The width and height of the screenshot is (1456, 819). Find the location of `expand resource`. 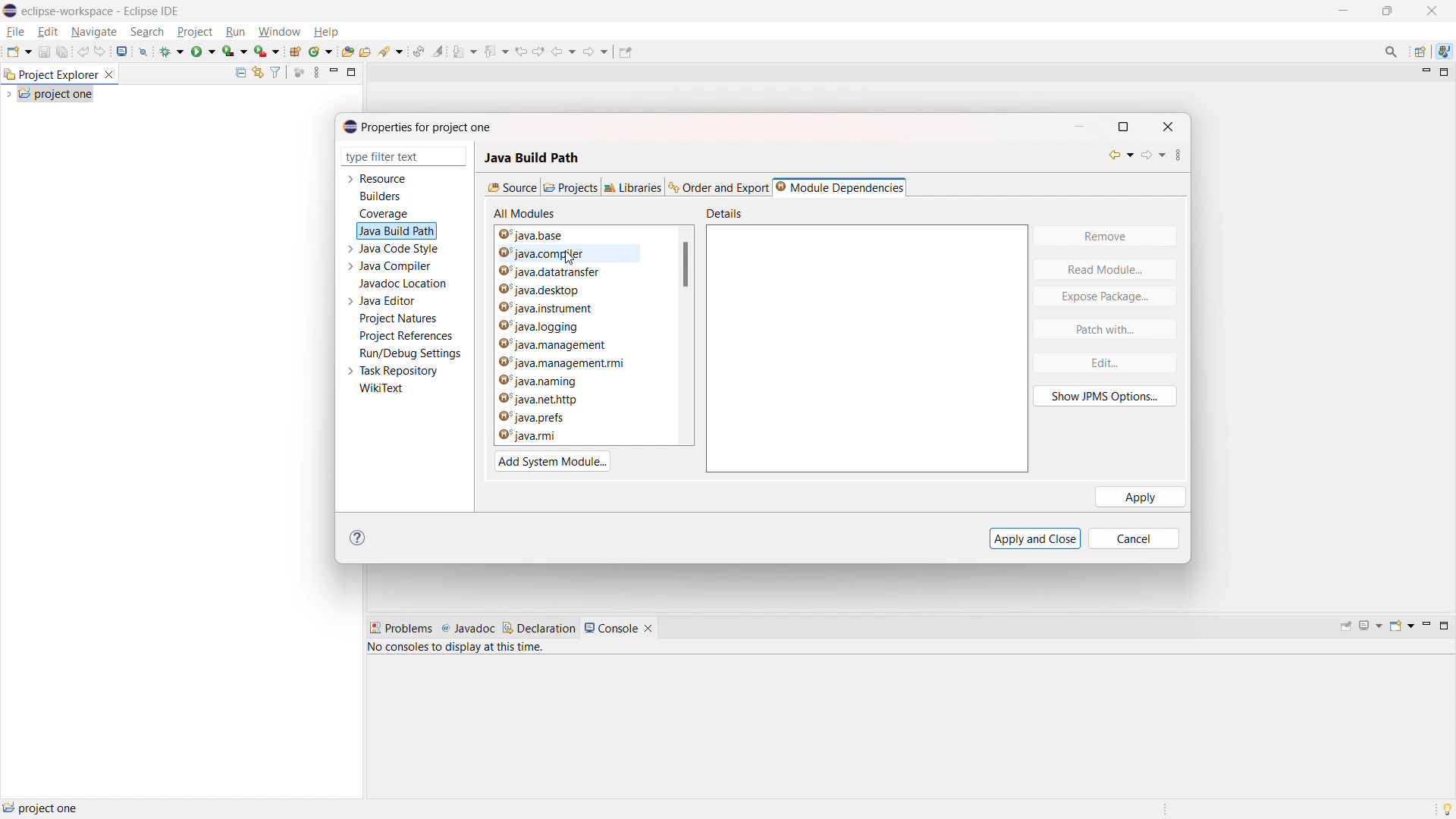

expand resource is located at coordinates (350, 180).